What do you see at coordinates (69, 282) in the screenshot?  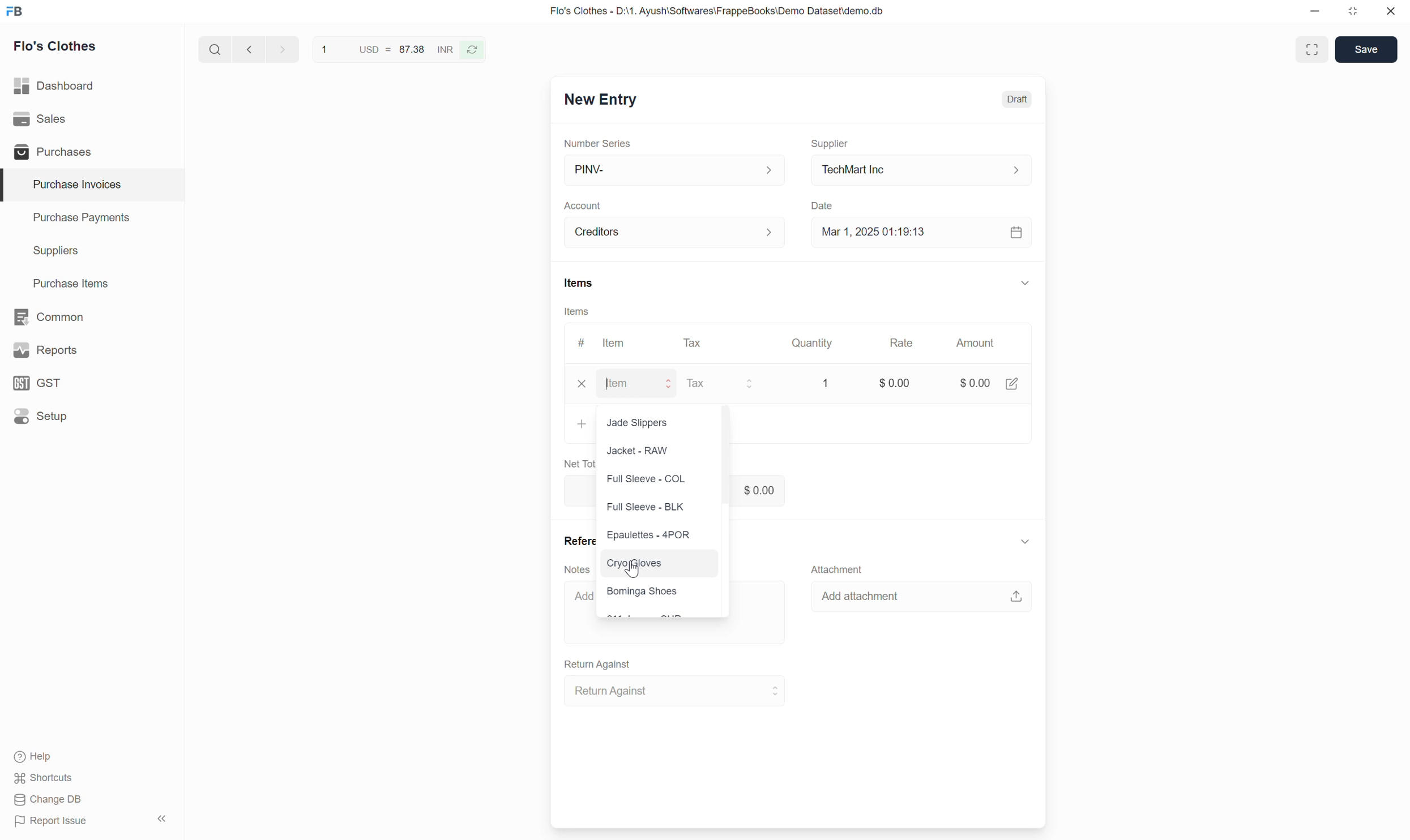 I see `Purchase Items` at bounding box center [69, 282].